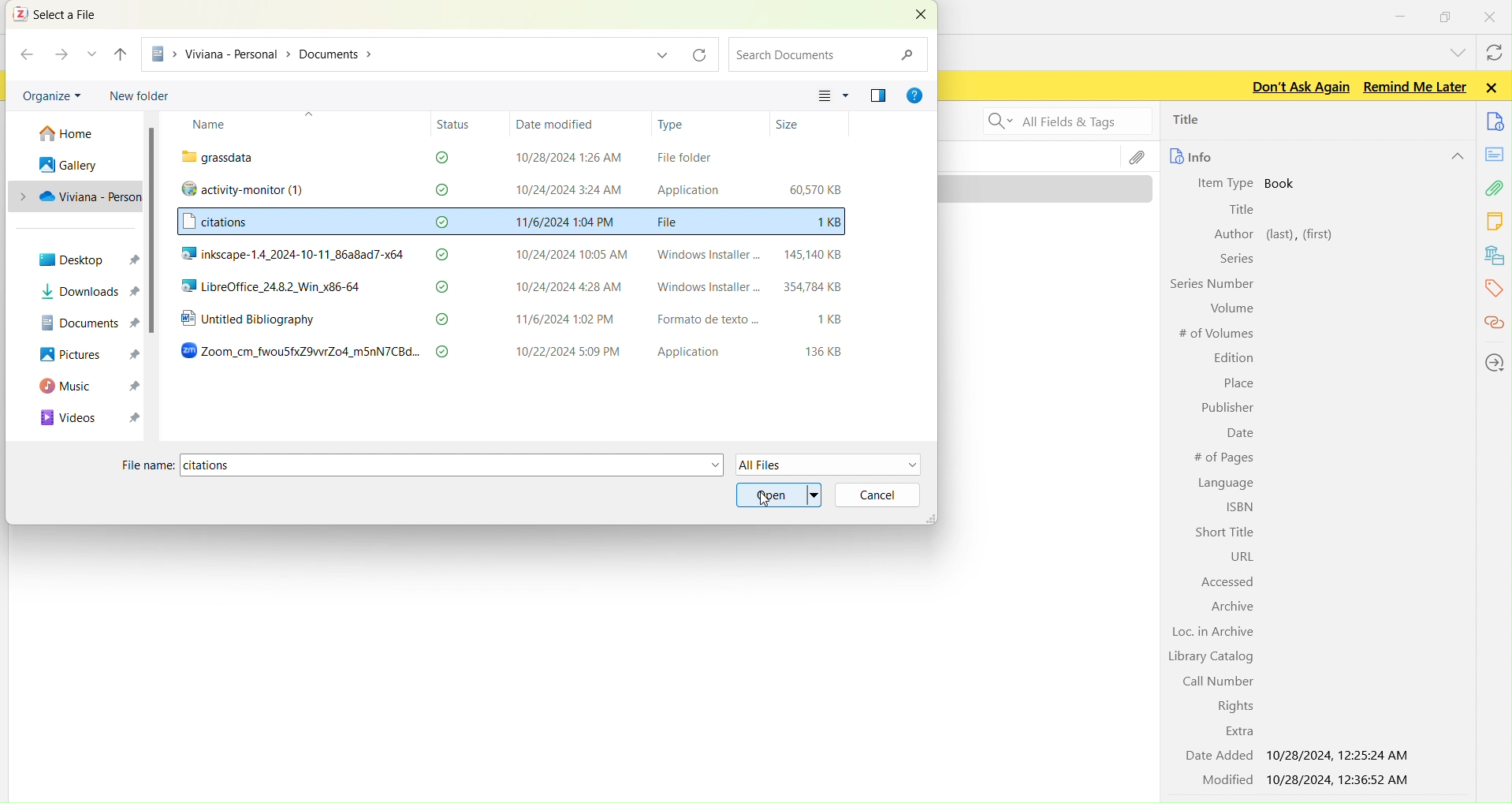 The height and width of the screenshot is (803, 1512). Describe the element at coordinates (75, 384) in the screenshot. I see `MUSIC` at that location.